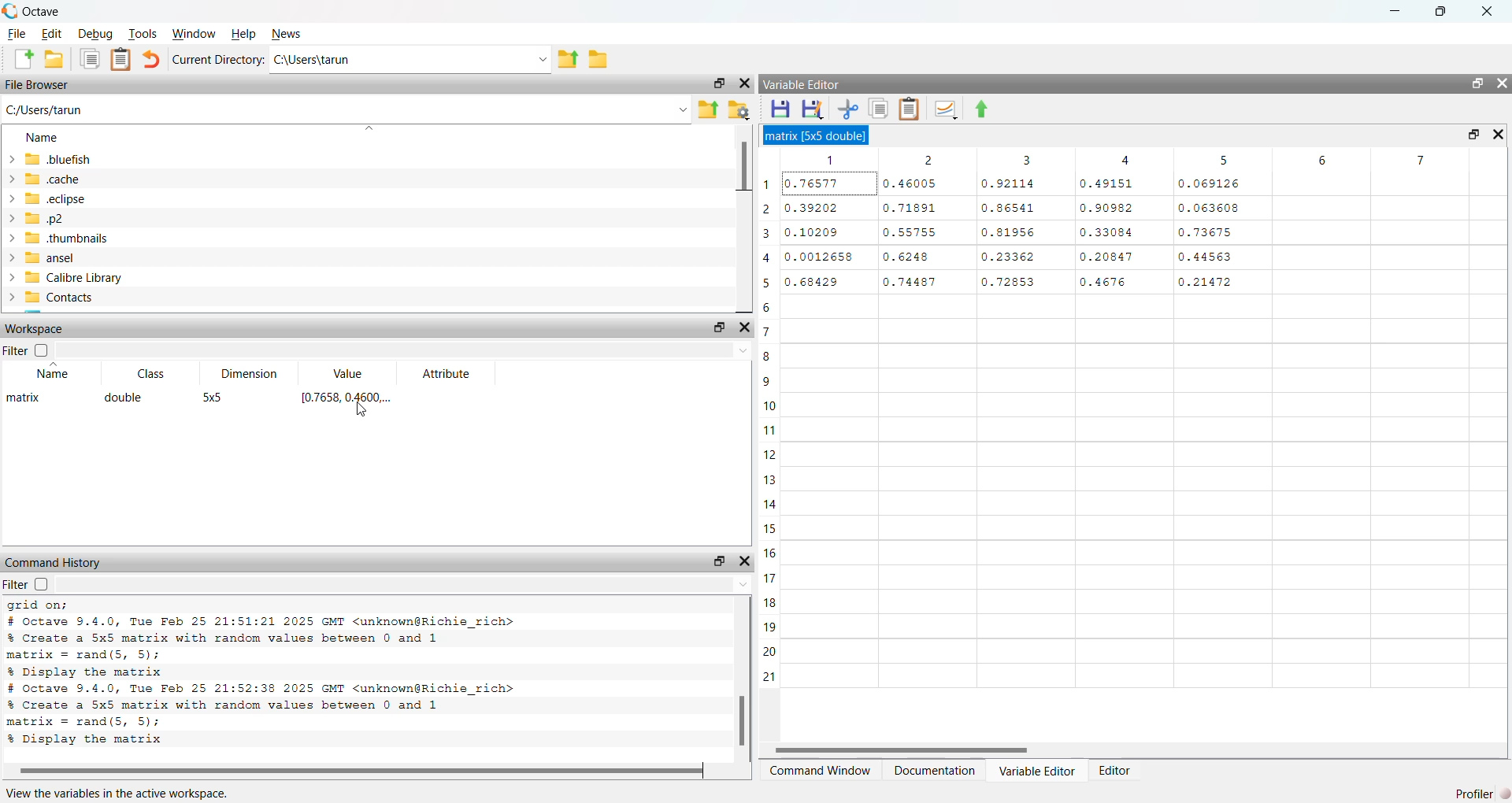 The width and height of the screenshot is (1512, 803). What do you see at coordinates (332, 676) in the screenshot?
I see `xlabel('x values’);

ylabel ('y values');

% Display grid

grid on;

# octave 9.4.0, Tue Feb 25 21:51:21 2025 GMT <unknown@Richie_rich>
% Create a 5x5 matrix with random values between 0 and 1

matrix = rand(S, 5);

% Display the matrix

# octave 9.4.0, Tue Feb 25 21:52:38 2025 GMT <unknown@Richie_rich>` at bounding box center [332, 676].